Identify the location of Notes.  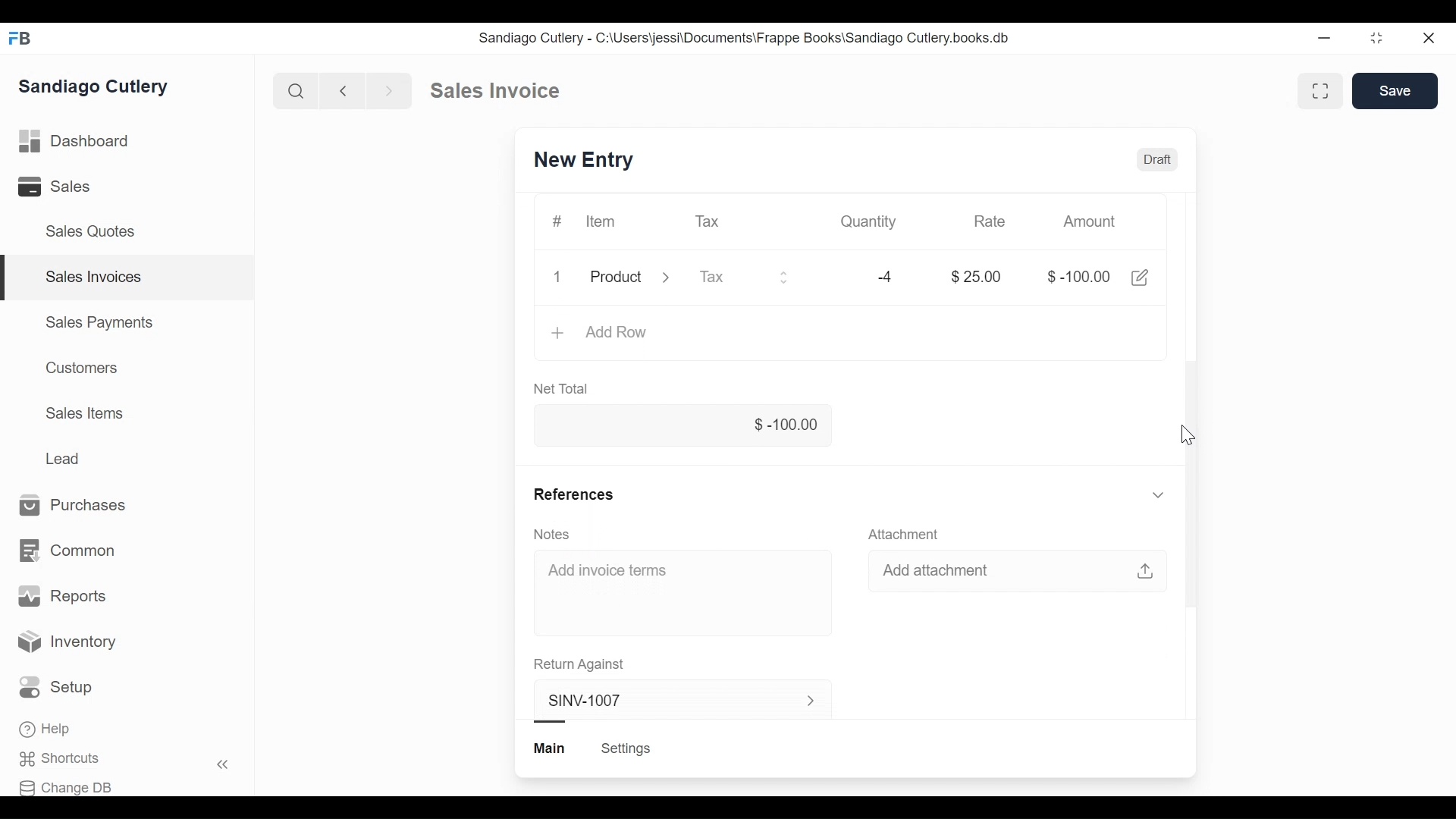
(554, 534).